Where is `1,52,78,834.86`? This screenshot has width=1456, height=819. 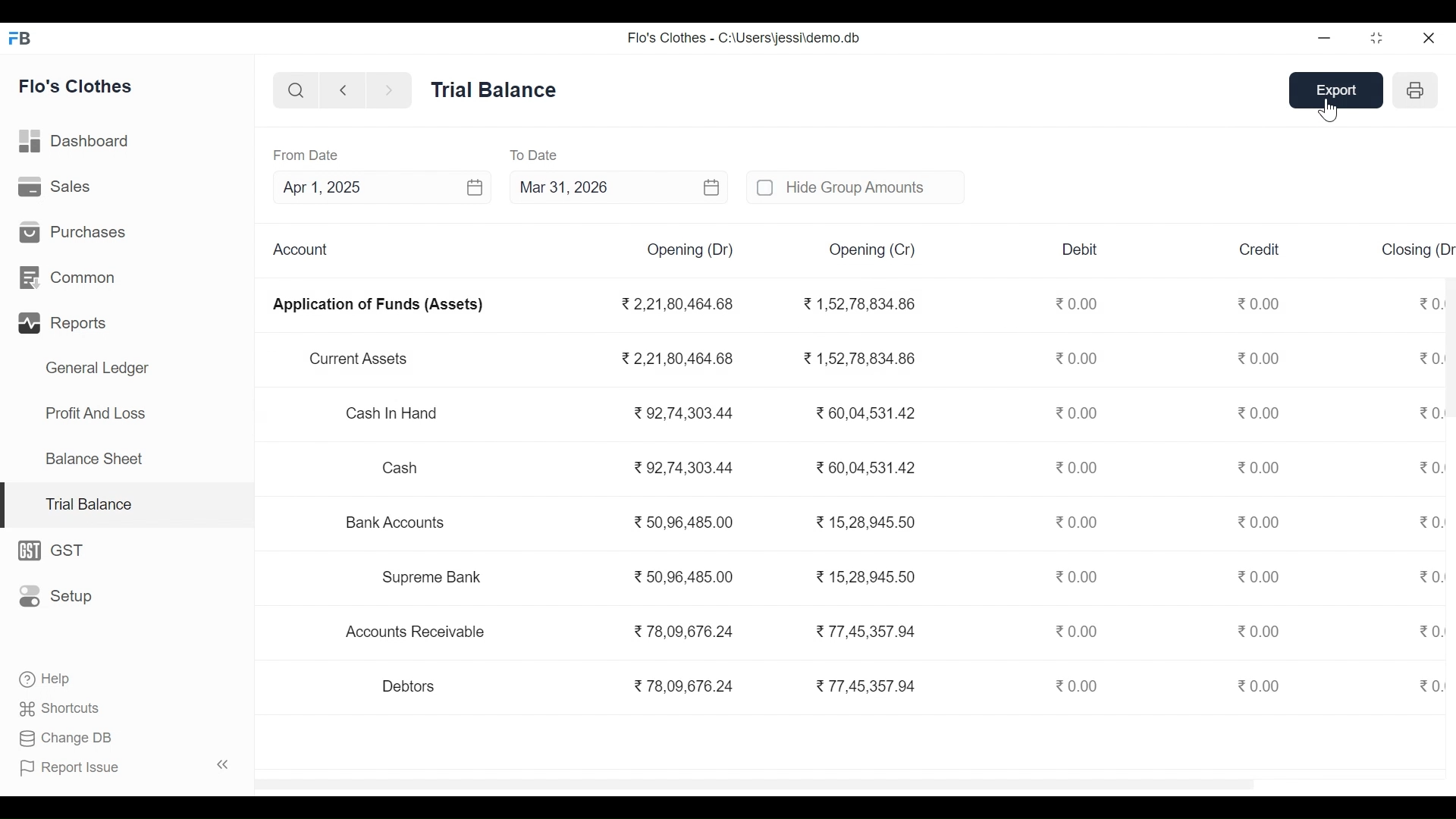
1,52,78,834.86 is located at coordinates (857, 304).